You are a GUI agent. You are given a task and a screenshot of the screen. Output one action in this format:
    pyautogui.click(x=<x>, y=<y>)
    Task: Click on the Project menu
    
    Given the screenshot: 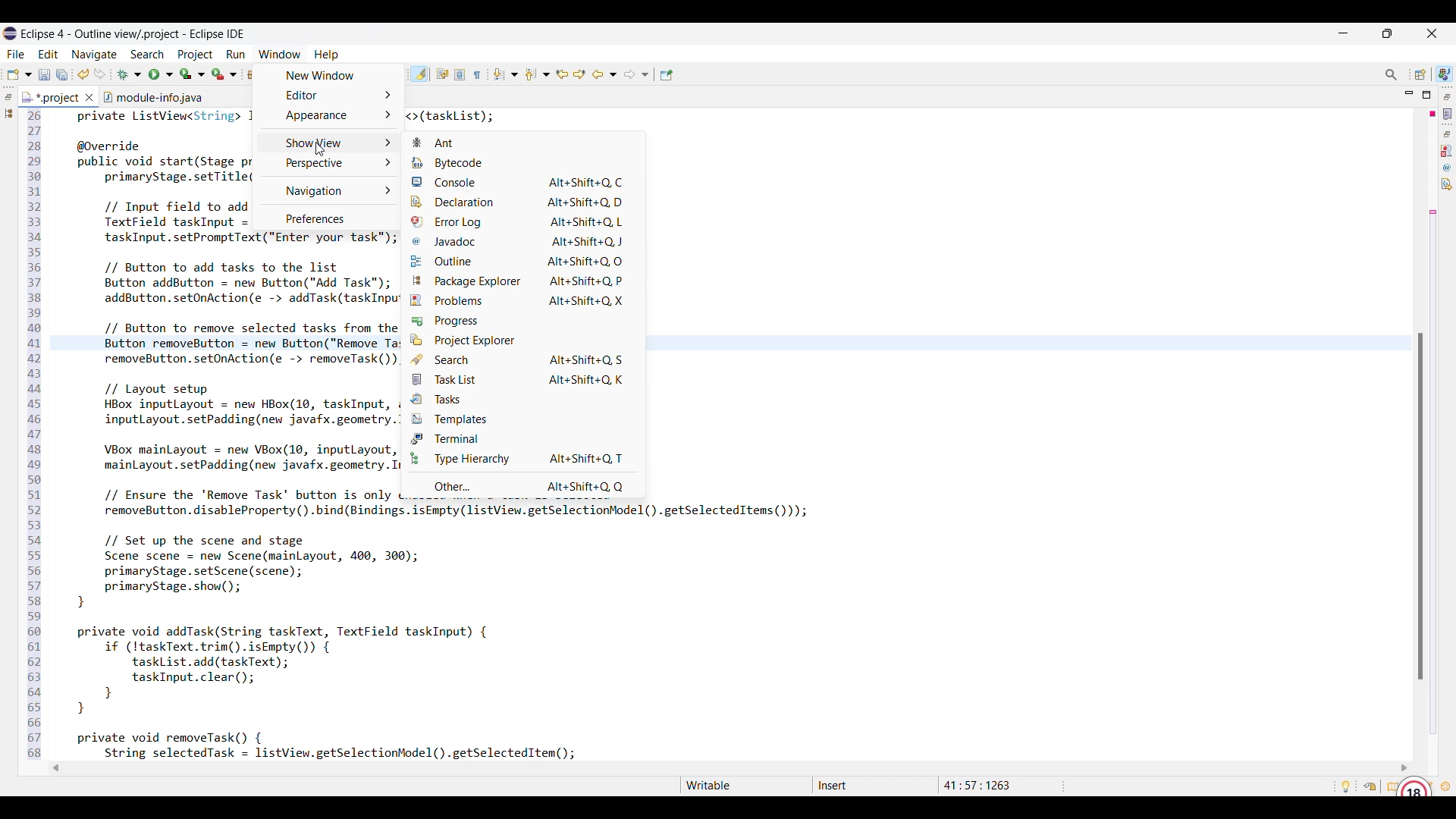 What is the action you would take?
    pyautogui.click(x=196, y=55)
    